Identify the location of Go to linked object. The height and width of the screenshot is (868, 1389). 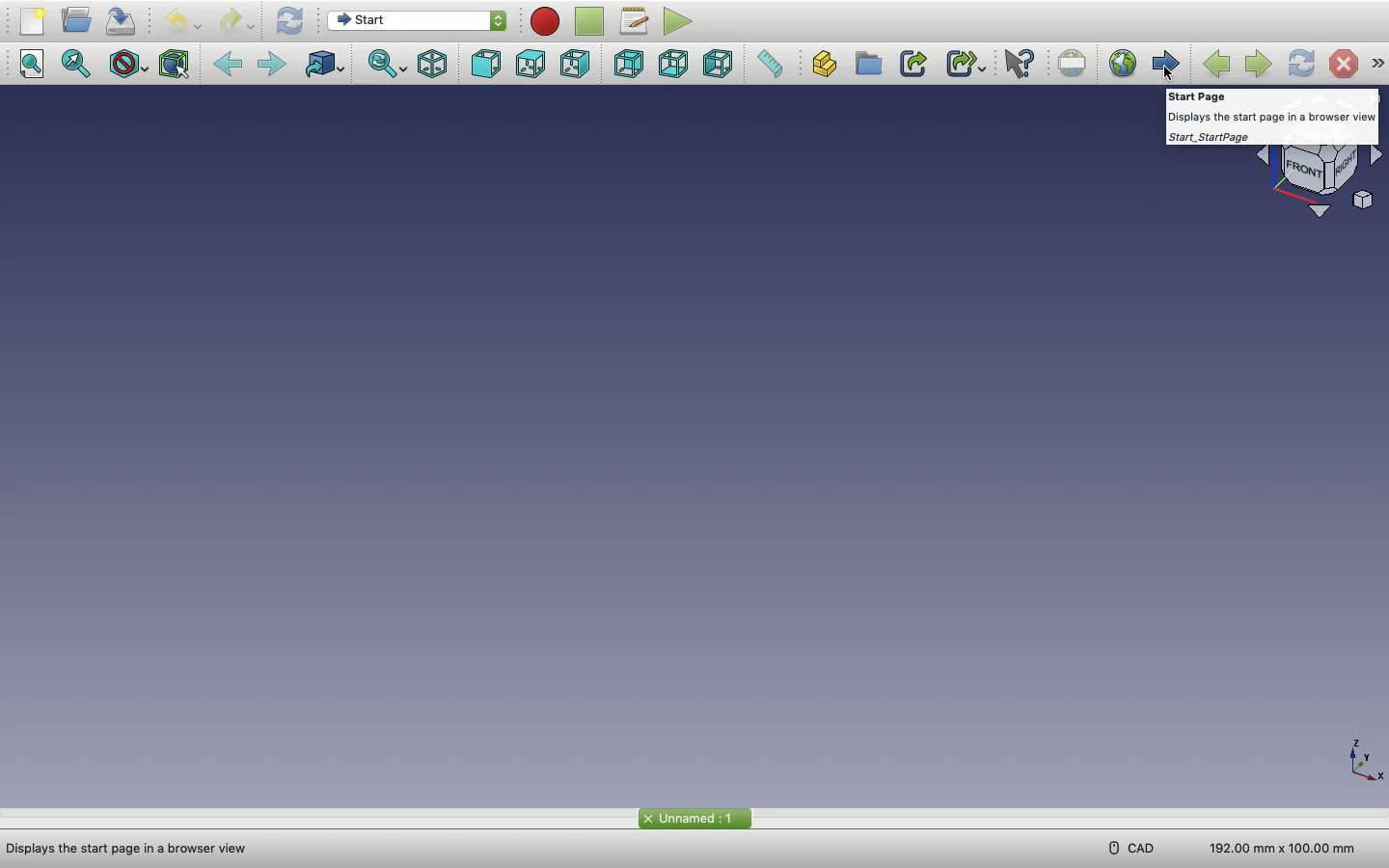
(323, 64).